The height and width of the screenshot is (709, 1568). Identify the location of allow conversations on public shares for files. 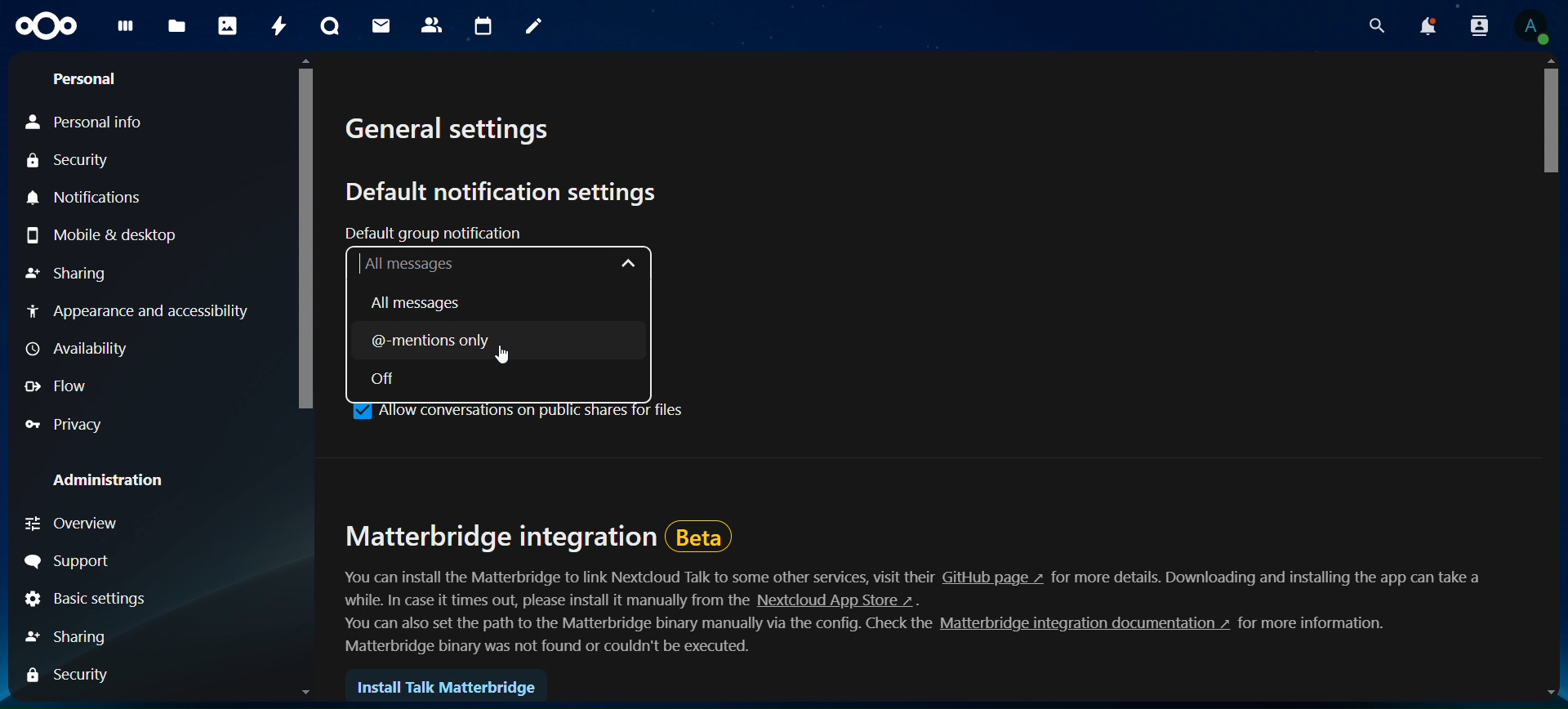
(519, 411).